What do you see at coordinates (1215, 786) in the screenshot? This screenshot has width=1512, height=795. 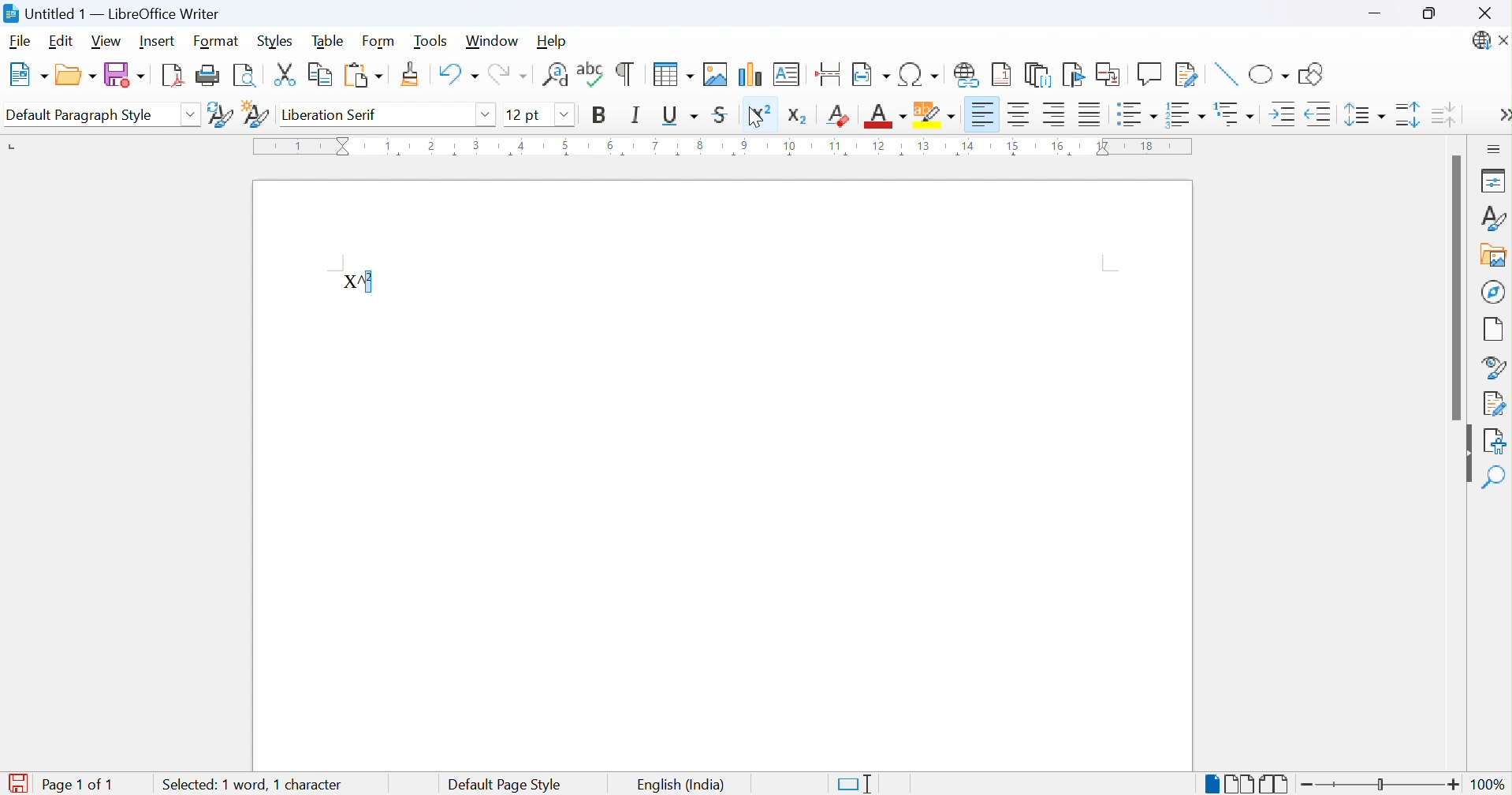 I see `Single-page view` at bounding box center [1215, 786].